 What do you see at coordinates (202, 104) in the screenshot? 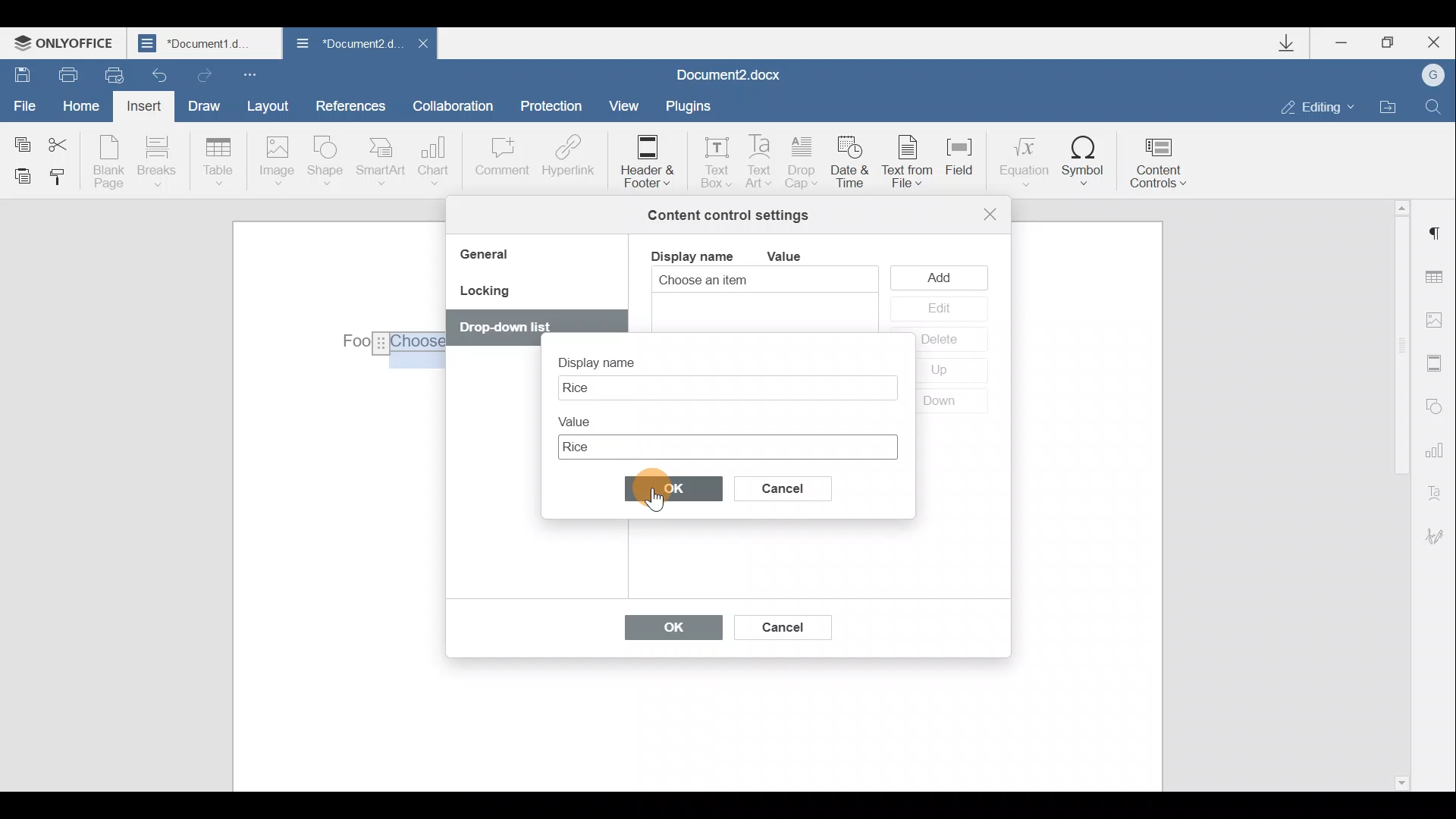
I see `Draw` at bounding box center [202, 104].